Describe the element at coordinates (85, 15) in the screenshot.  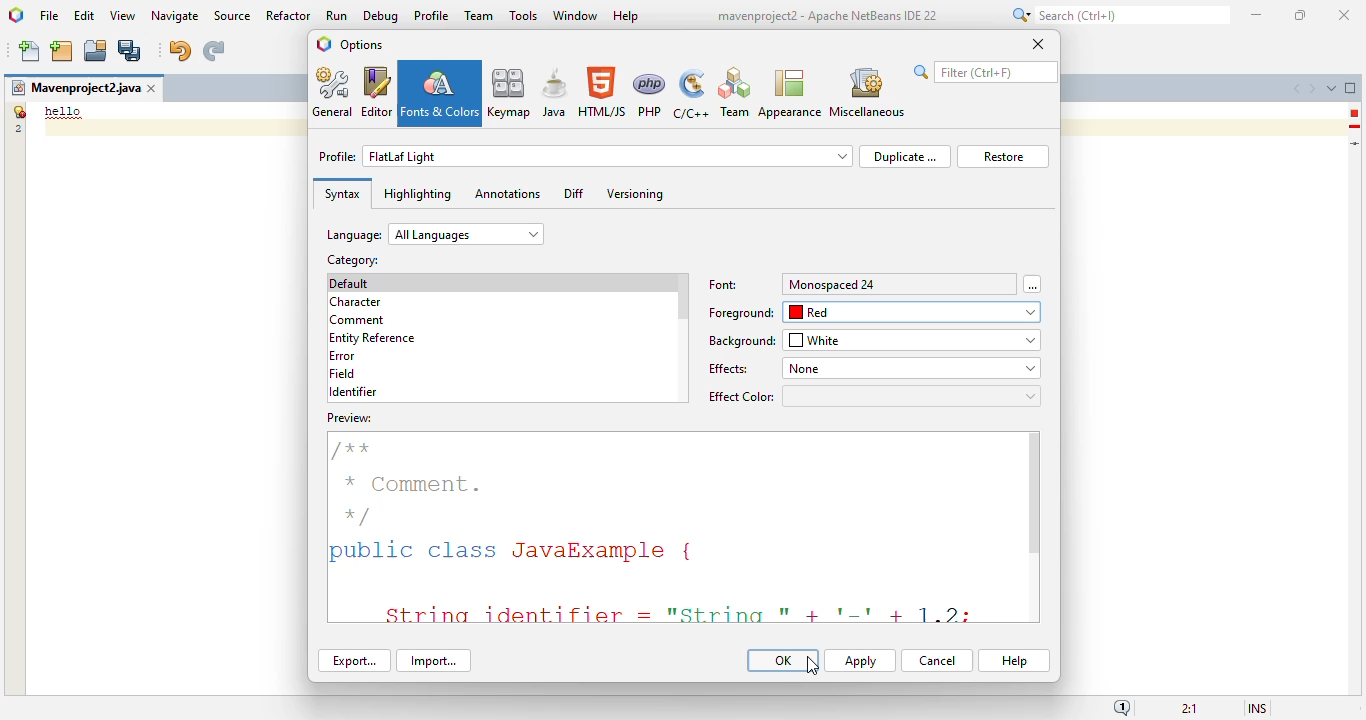
I see `edit` at that location.